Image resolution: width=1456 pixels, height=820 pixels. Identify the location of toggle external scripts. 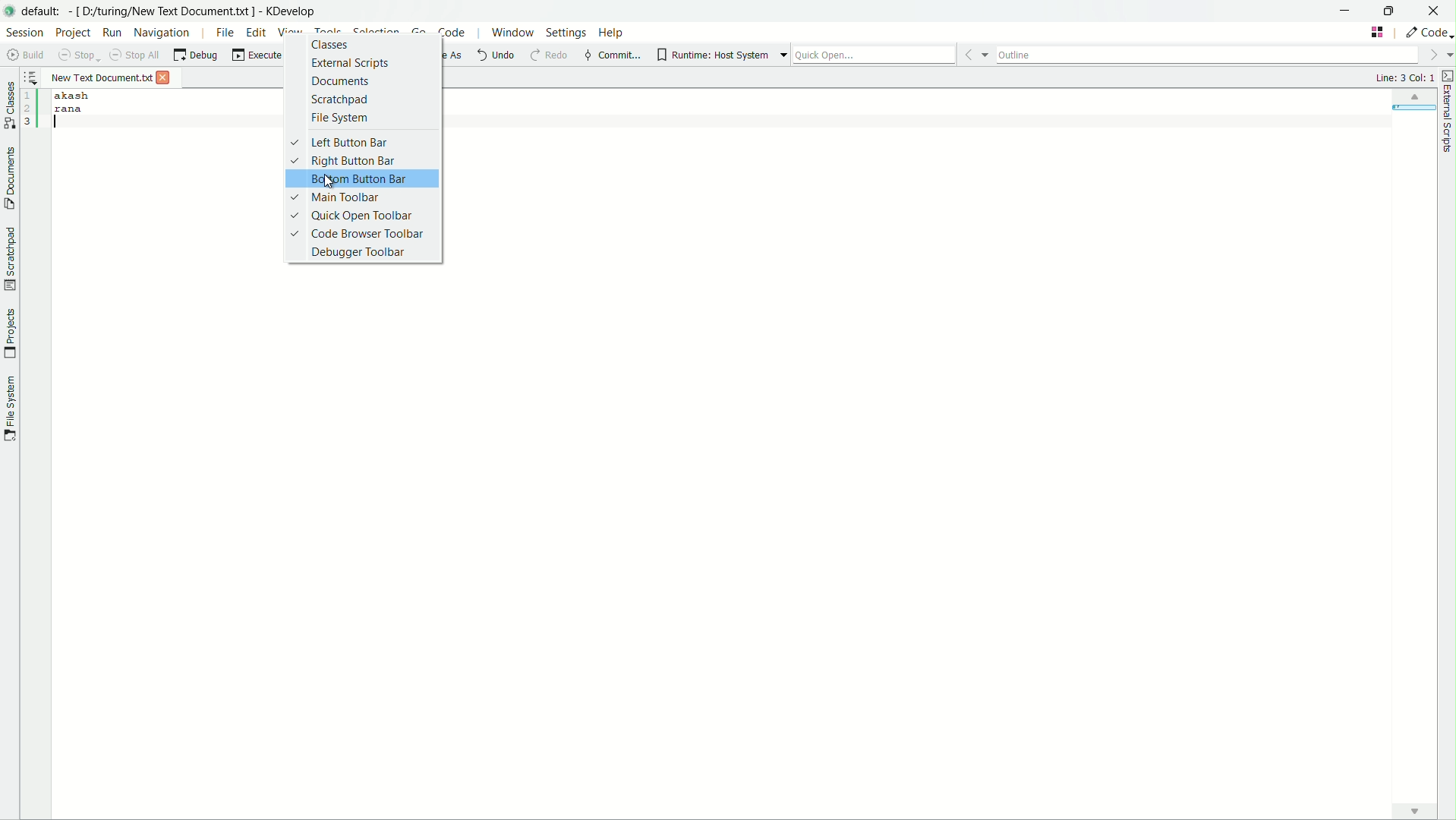
(1447, 75).